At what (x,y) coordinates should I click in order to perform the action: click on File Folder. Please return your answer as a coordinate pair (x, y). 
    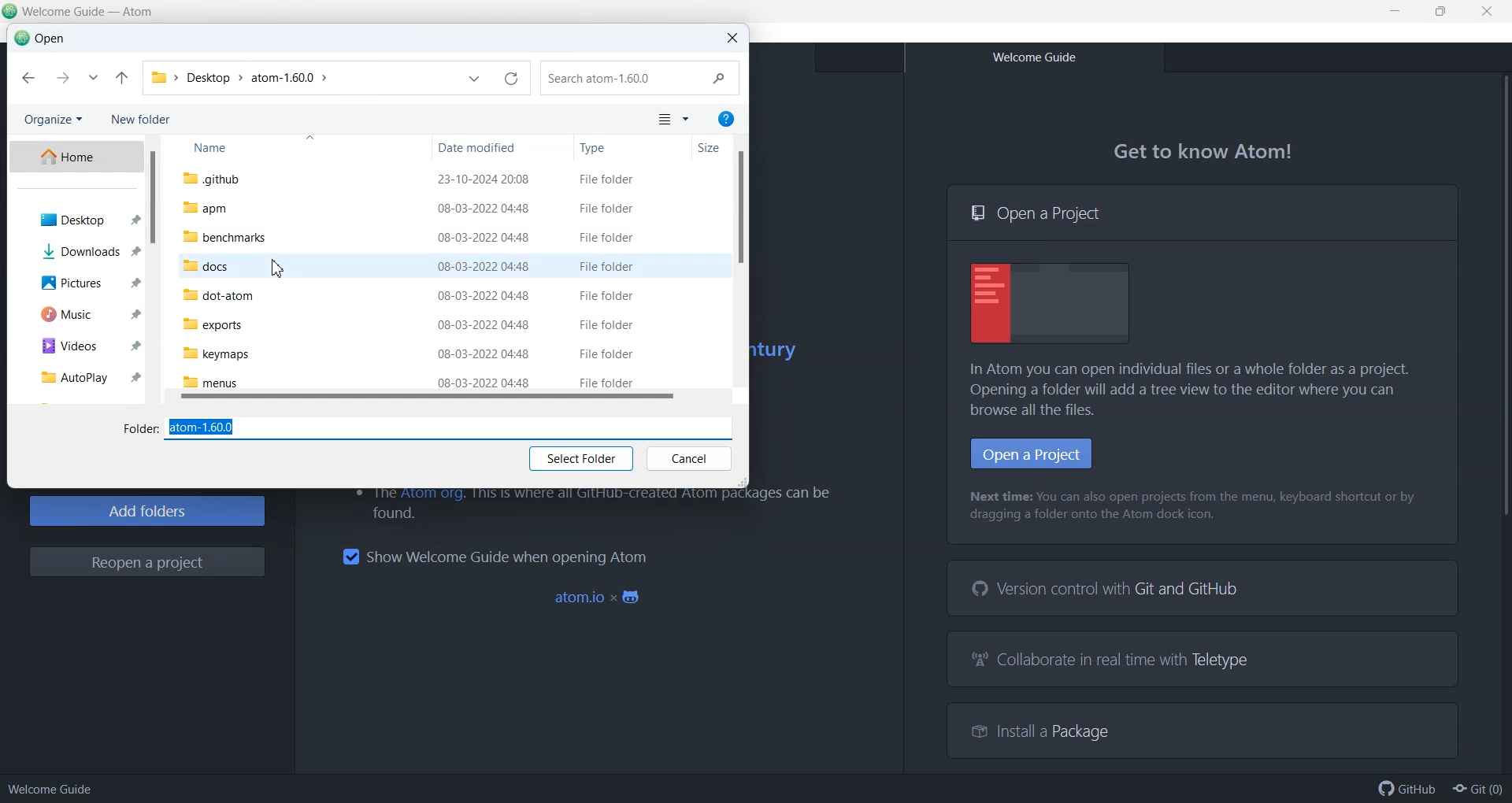
    Looking at the image, I should click on (606, 354).